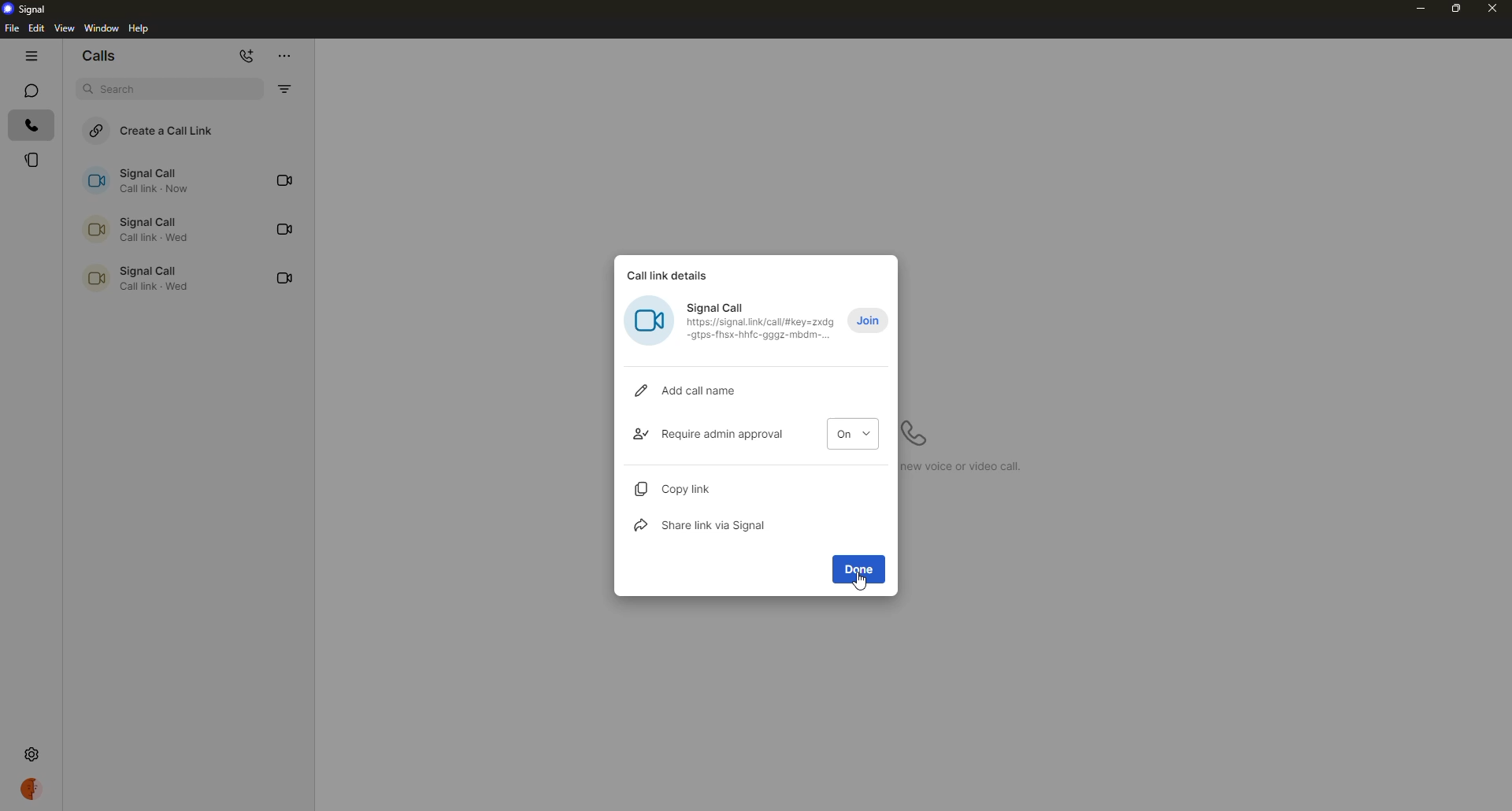 The width and height of the screenshot is (1512, 811). What do you see at coordinates (144, 279) in the screenshot?
I see `call link` at bounding box center [144, 279].